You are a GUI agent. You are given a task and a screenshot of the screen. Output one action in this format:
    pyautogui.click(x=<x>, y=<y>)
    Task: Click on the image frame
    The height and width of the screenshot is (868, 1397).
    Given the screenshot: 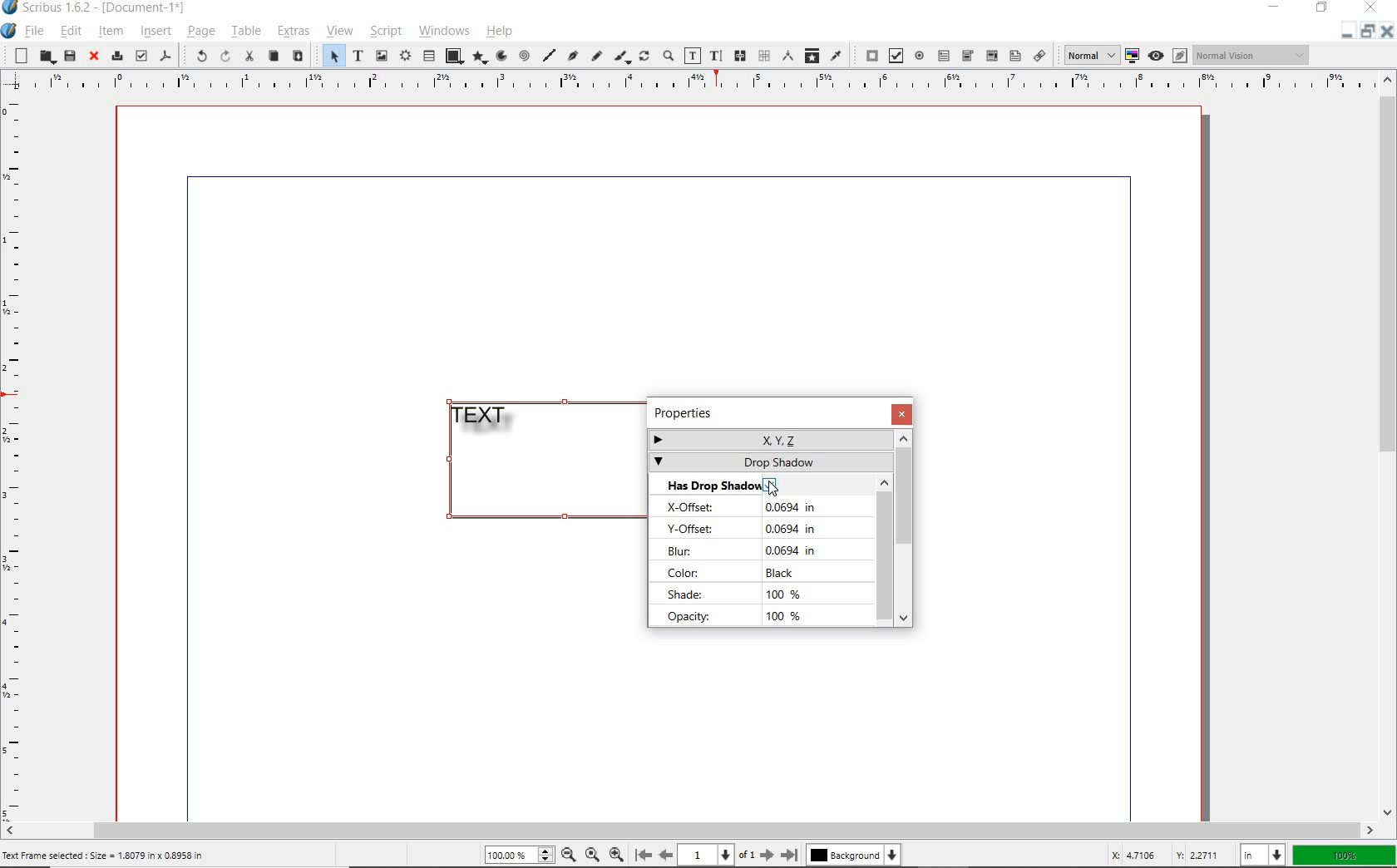 What is the action you would take?
    pyautogui.click(x=381, y=55)
    